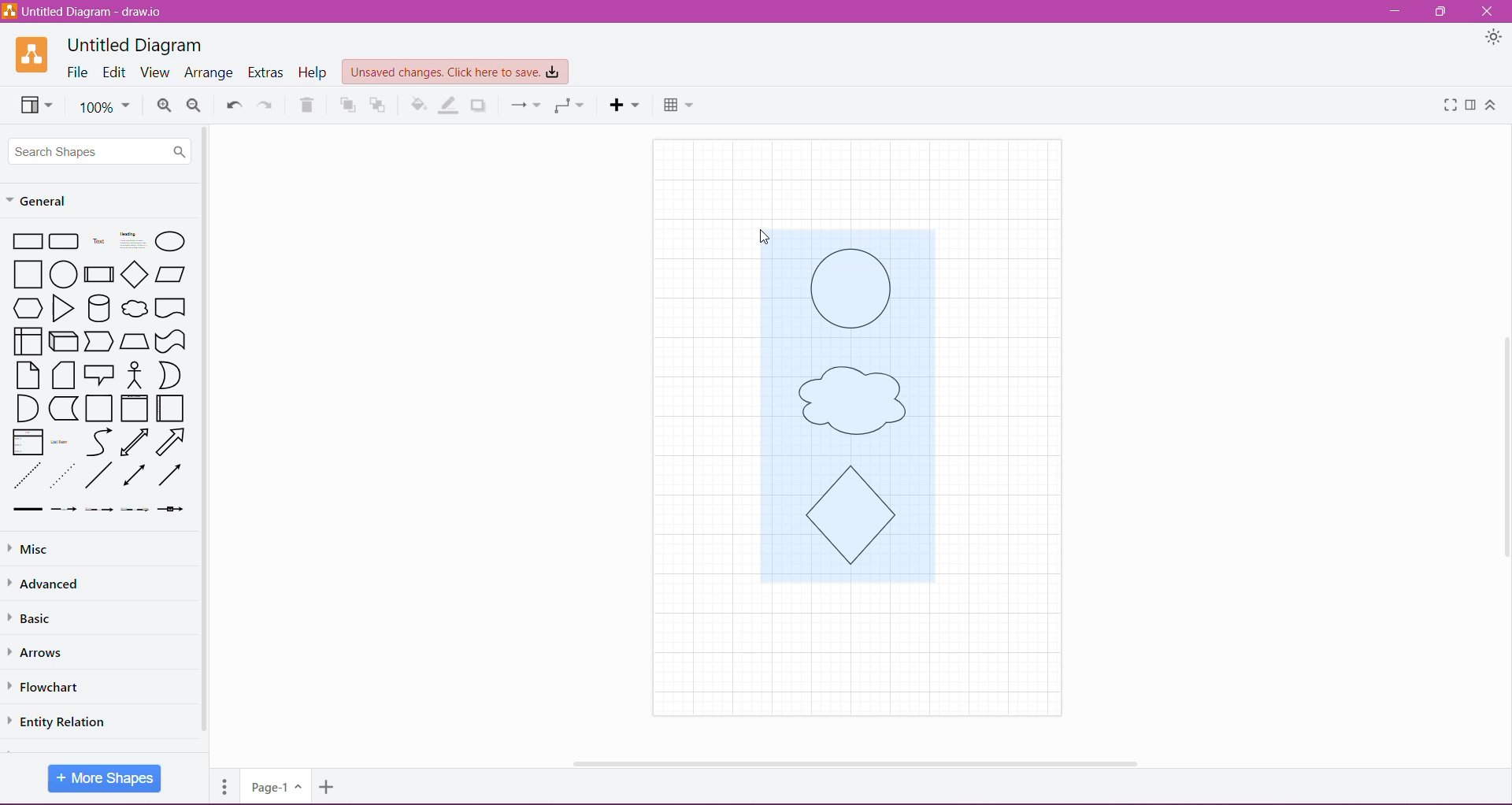 This screenshot has height=805, width=1512. Describe the element at coordinates (1447, 106) in the screenshot. I see `Fullscreen` at that location.